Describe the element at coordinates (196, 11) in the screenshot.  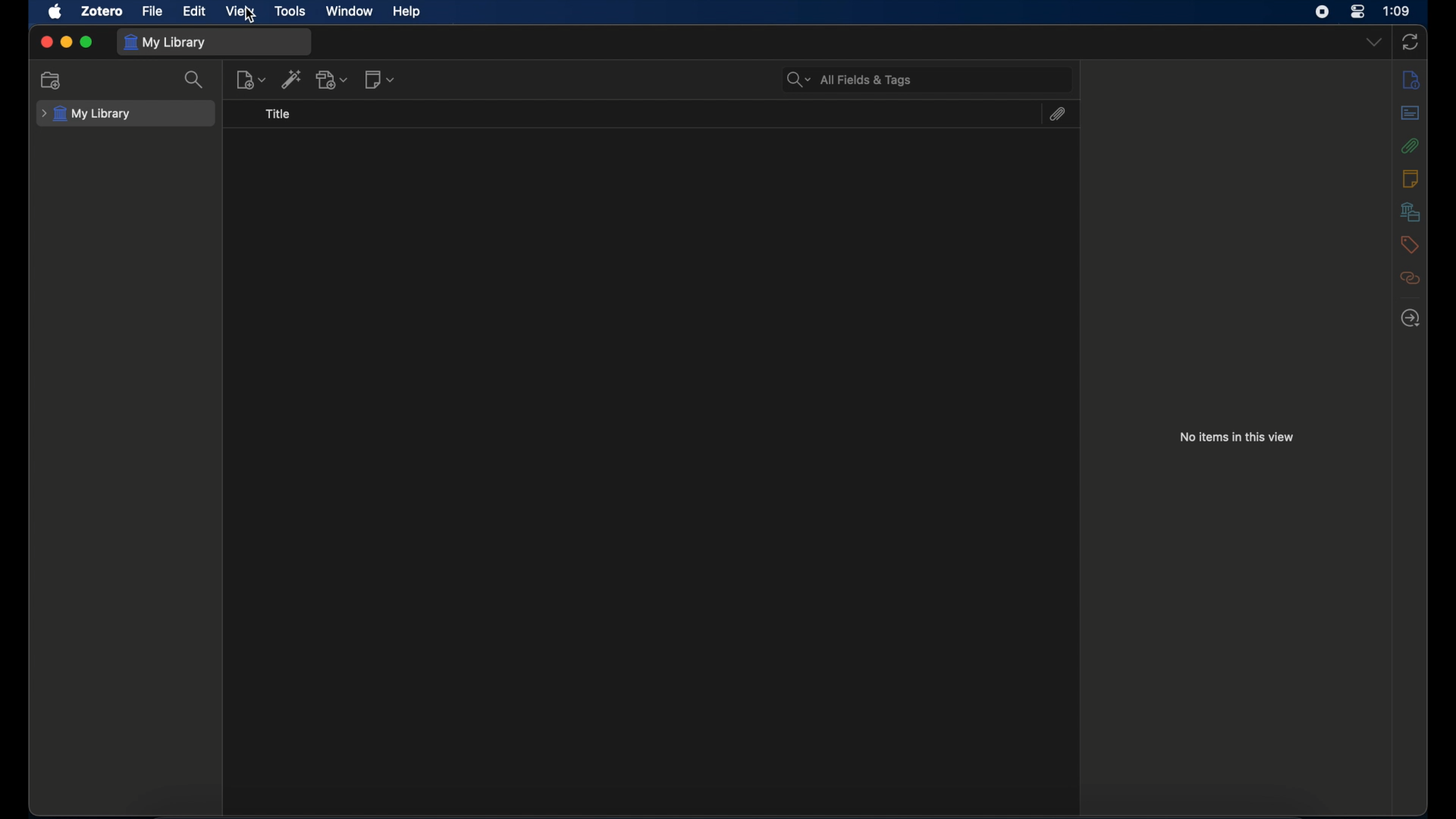
I see `edit` at that location.